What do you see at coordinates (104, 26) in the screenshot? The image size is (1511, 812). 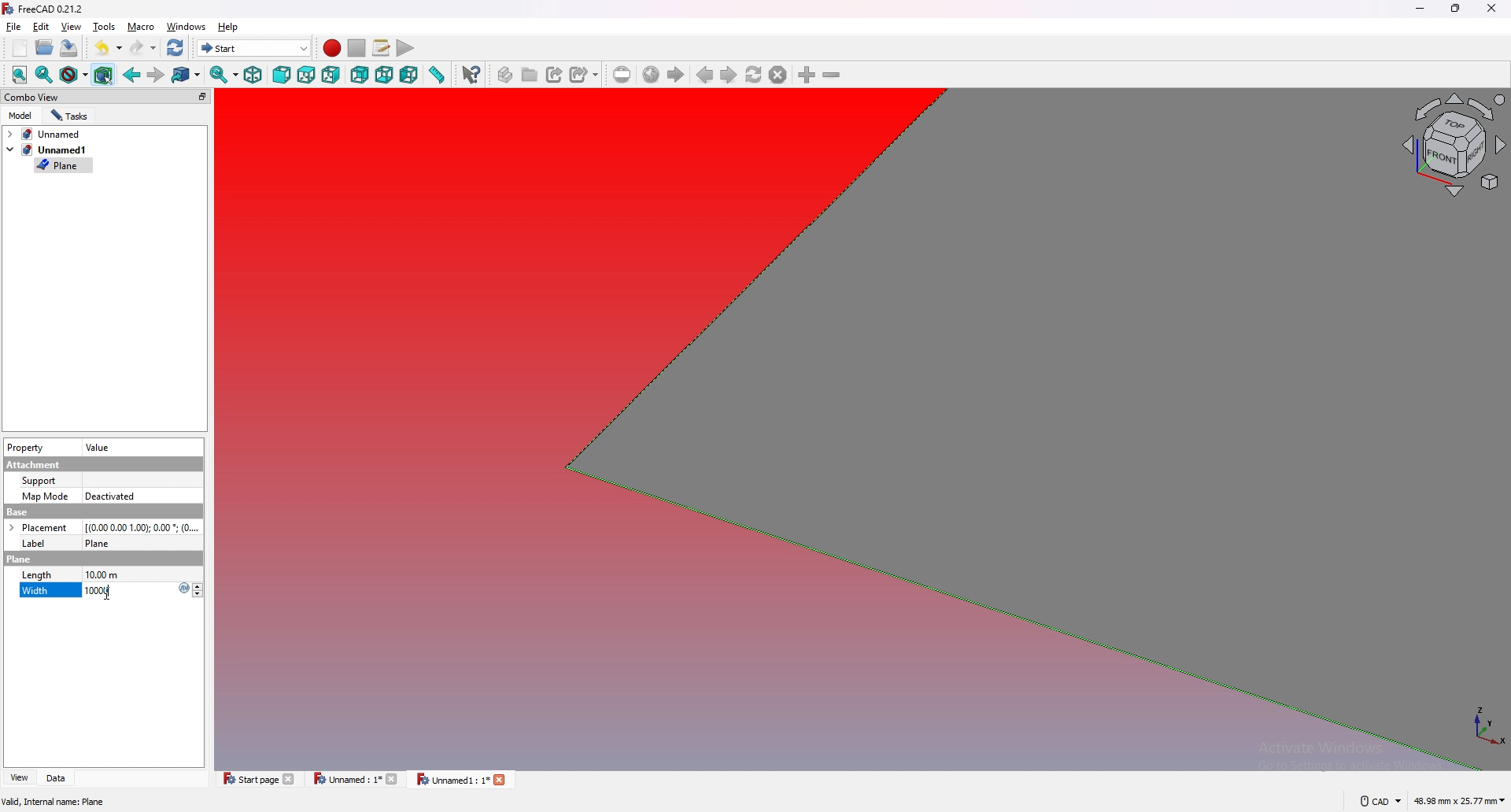 I see `tools` at bounding box center [104, 26].